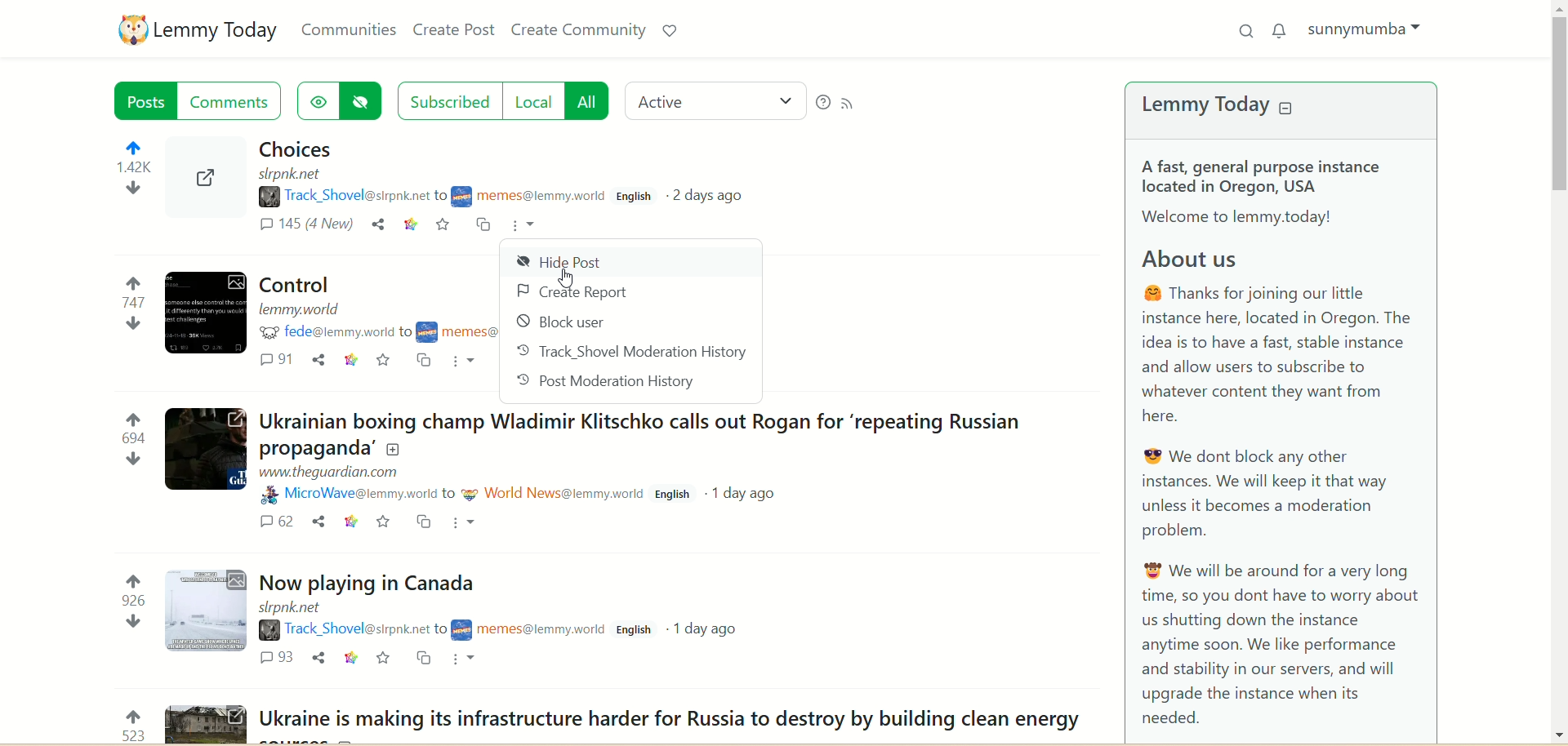  I want to click on Expand the post with image details, so click(203, 189).